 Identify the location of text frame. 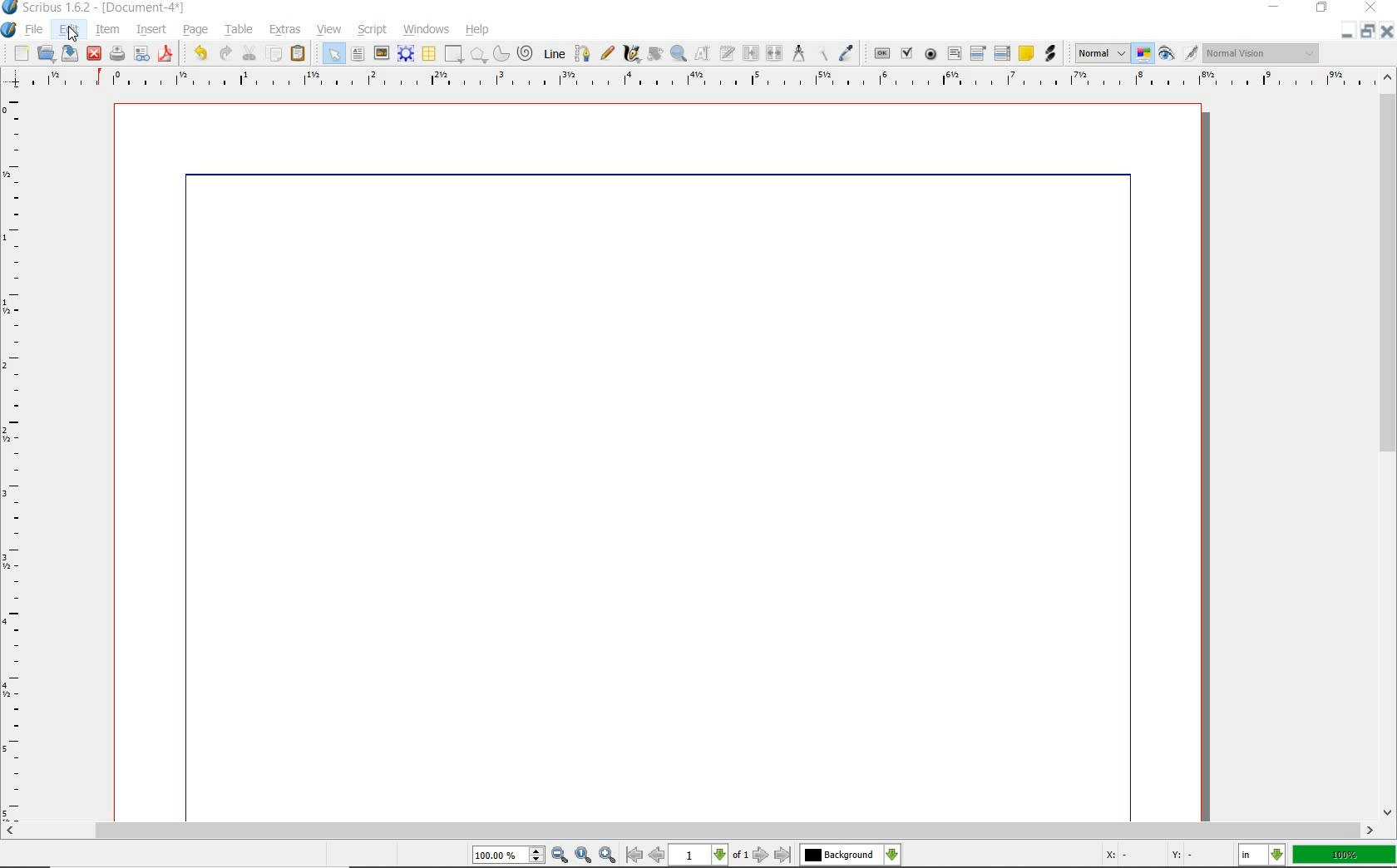
(359, 54).